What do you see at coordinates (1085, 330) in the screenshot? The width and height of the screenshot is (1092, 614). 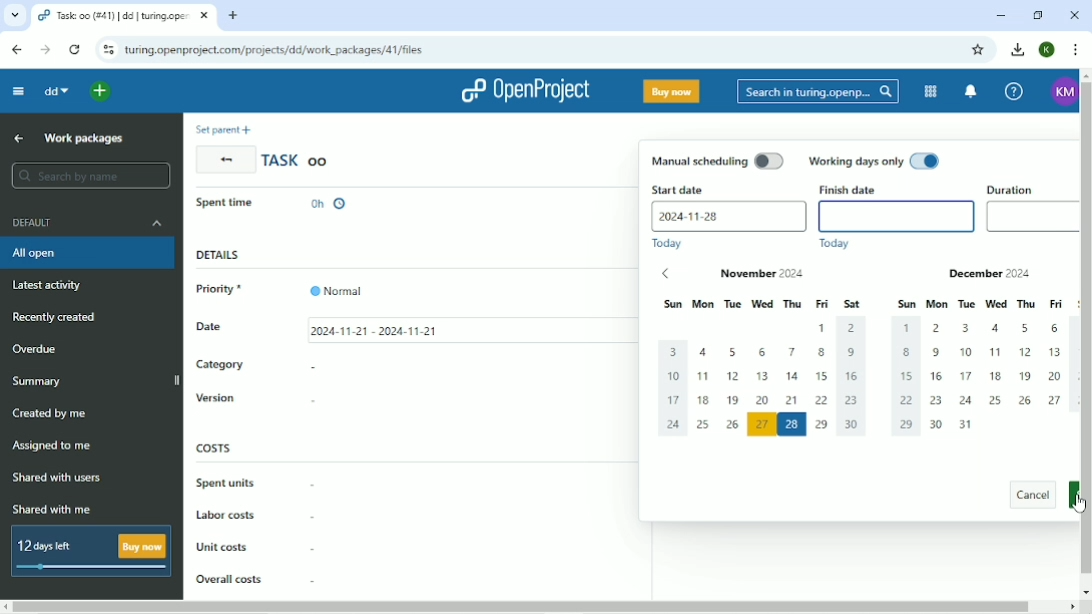 I see `Vertical scrollbar` at bounding box center [1085, 330].